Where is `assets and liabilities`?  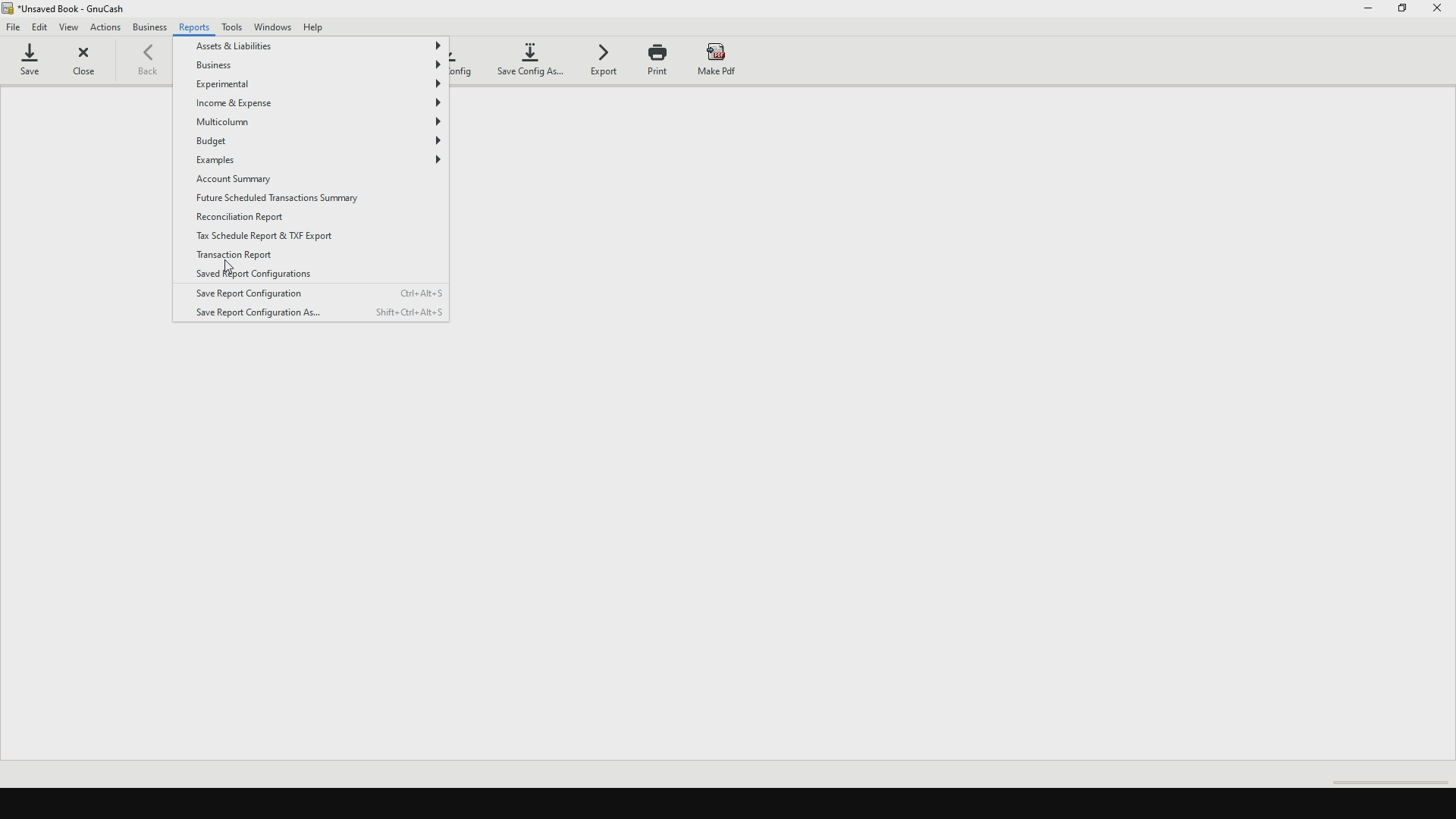
assets and liabilities is located at coordinates (317, 45).